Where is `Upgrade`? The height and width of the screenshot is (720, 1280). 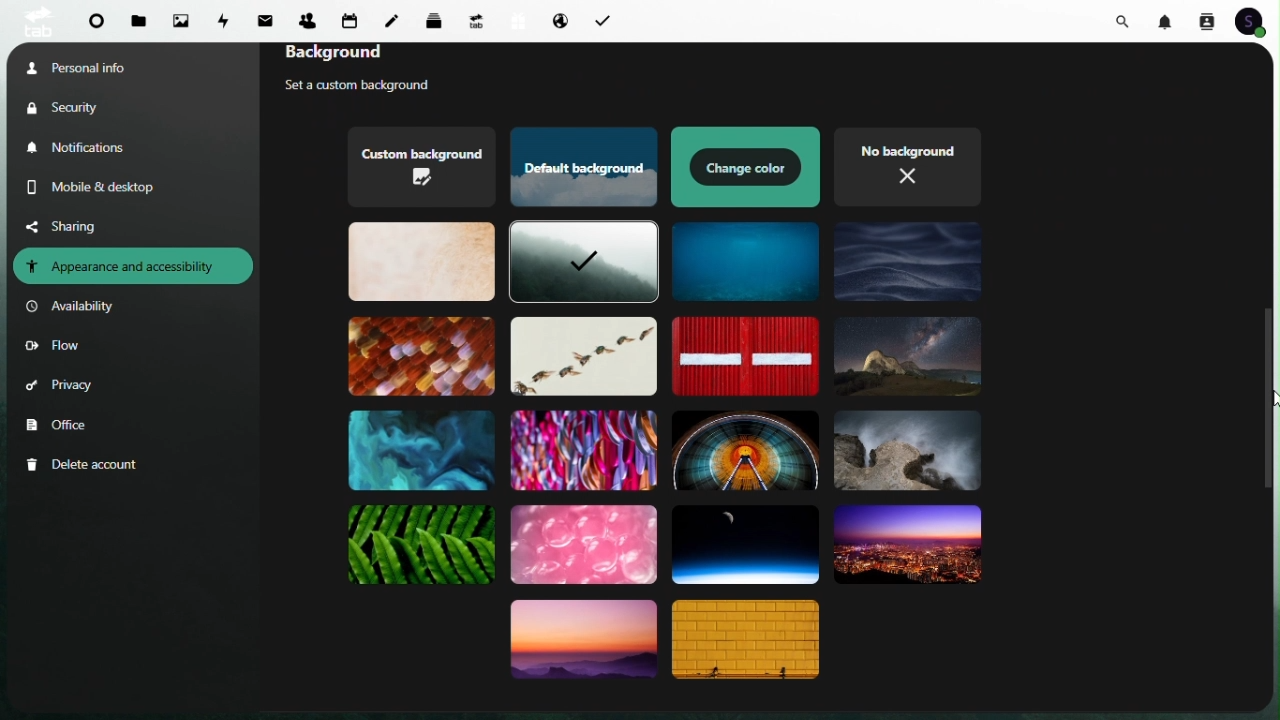
Upgrade is located at coordinates (476, 20).